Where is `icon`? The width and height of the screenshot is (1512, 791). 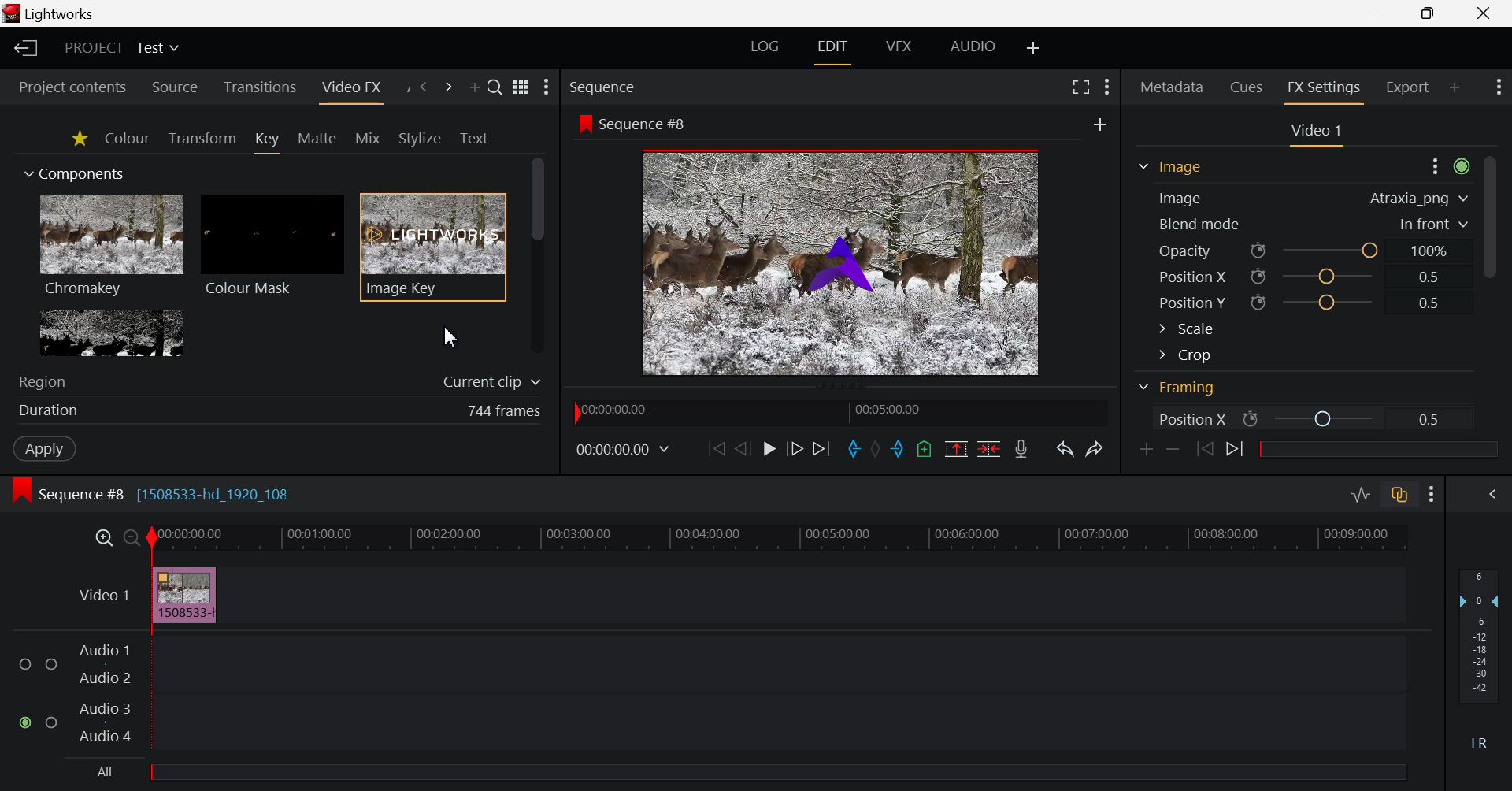 icon is located at coordinates (584, 123).